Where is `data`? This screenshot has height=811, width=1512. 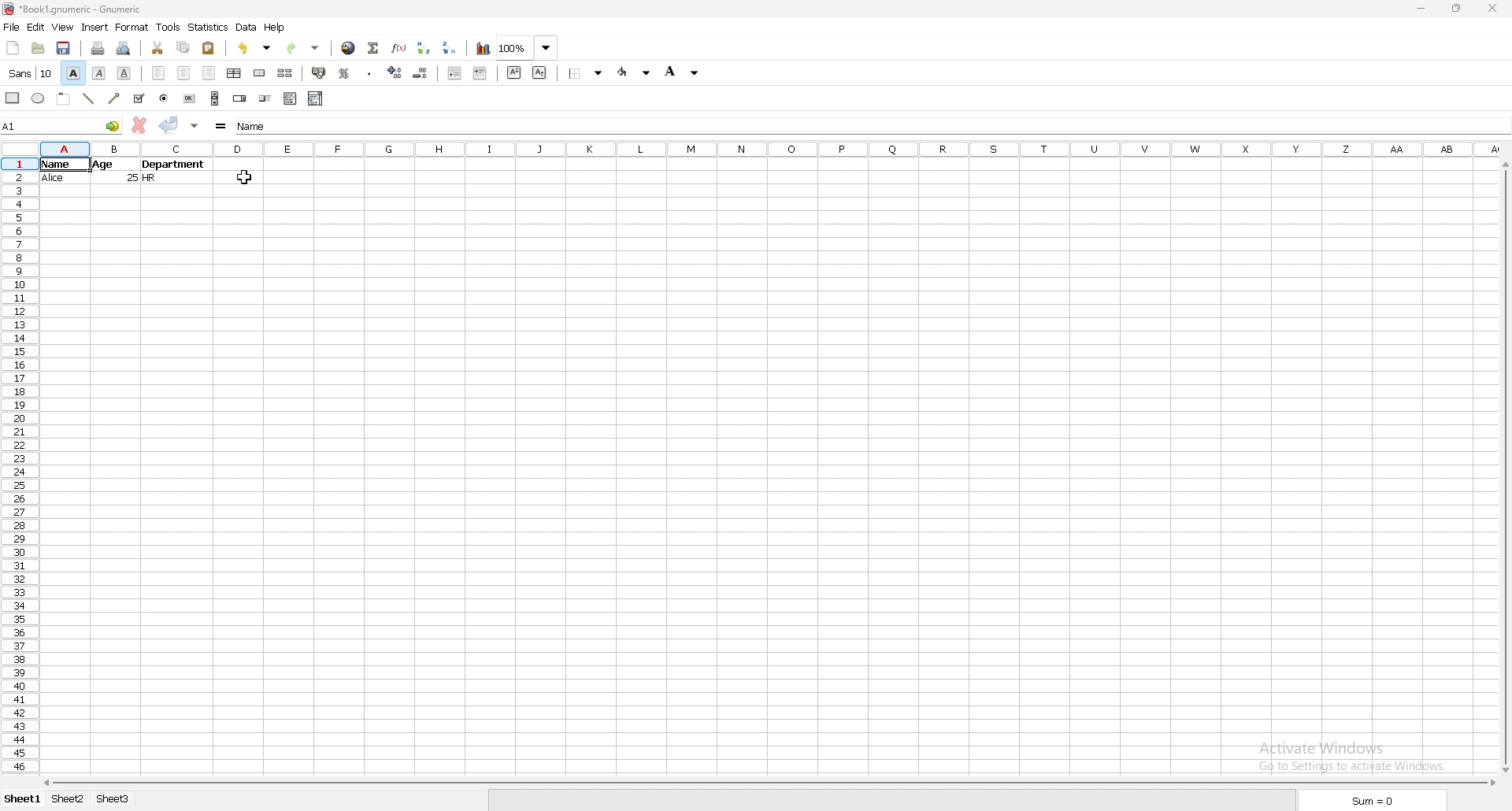 data is located at coordinates (246, 28).